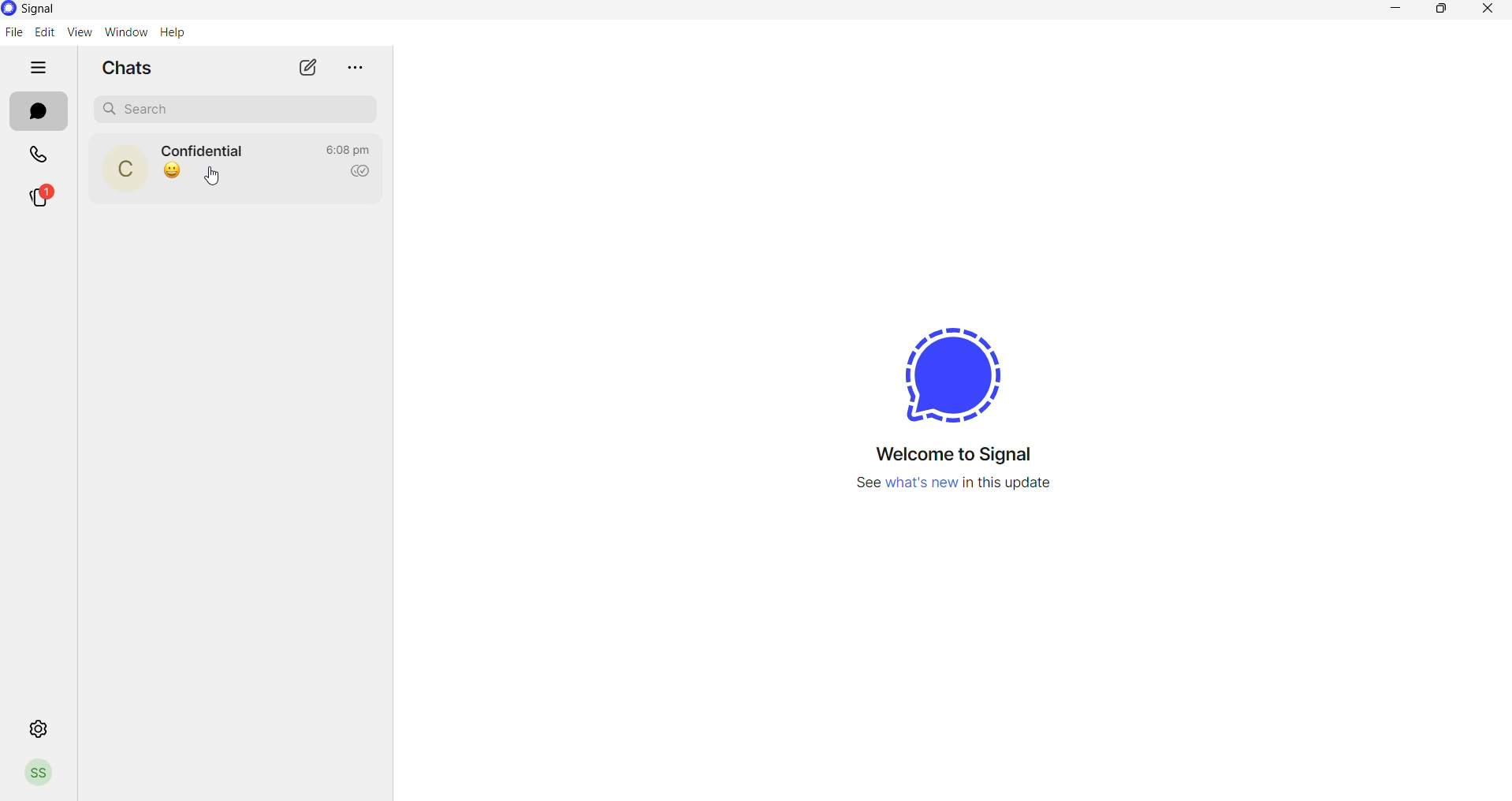 The height and width of the screenshot is (801, 1512). What do you see at coordinates (125, 167) in the screenshot?
I see `profile picture` at bounding box center [125, 167].